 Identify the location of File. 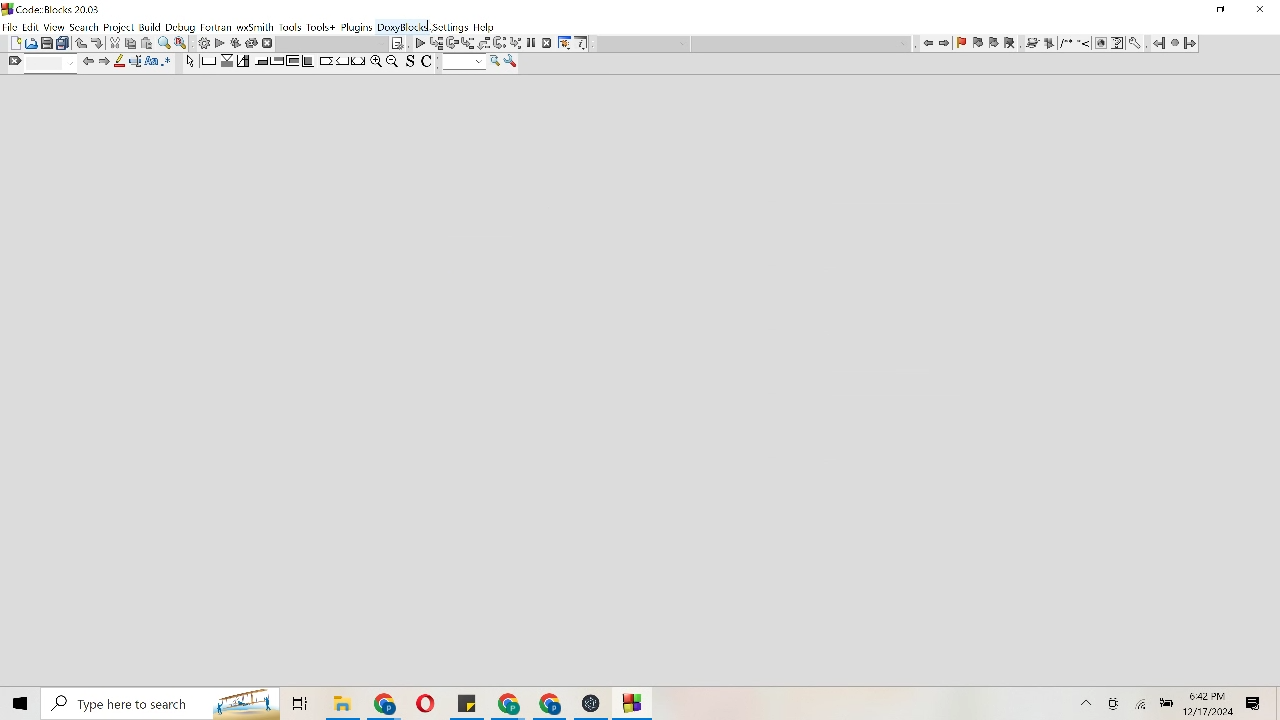
(634, 704).